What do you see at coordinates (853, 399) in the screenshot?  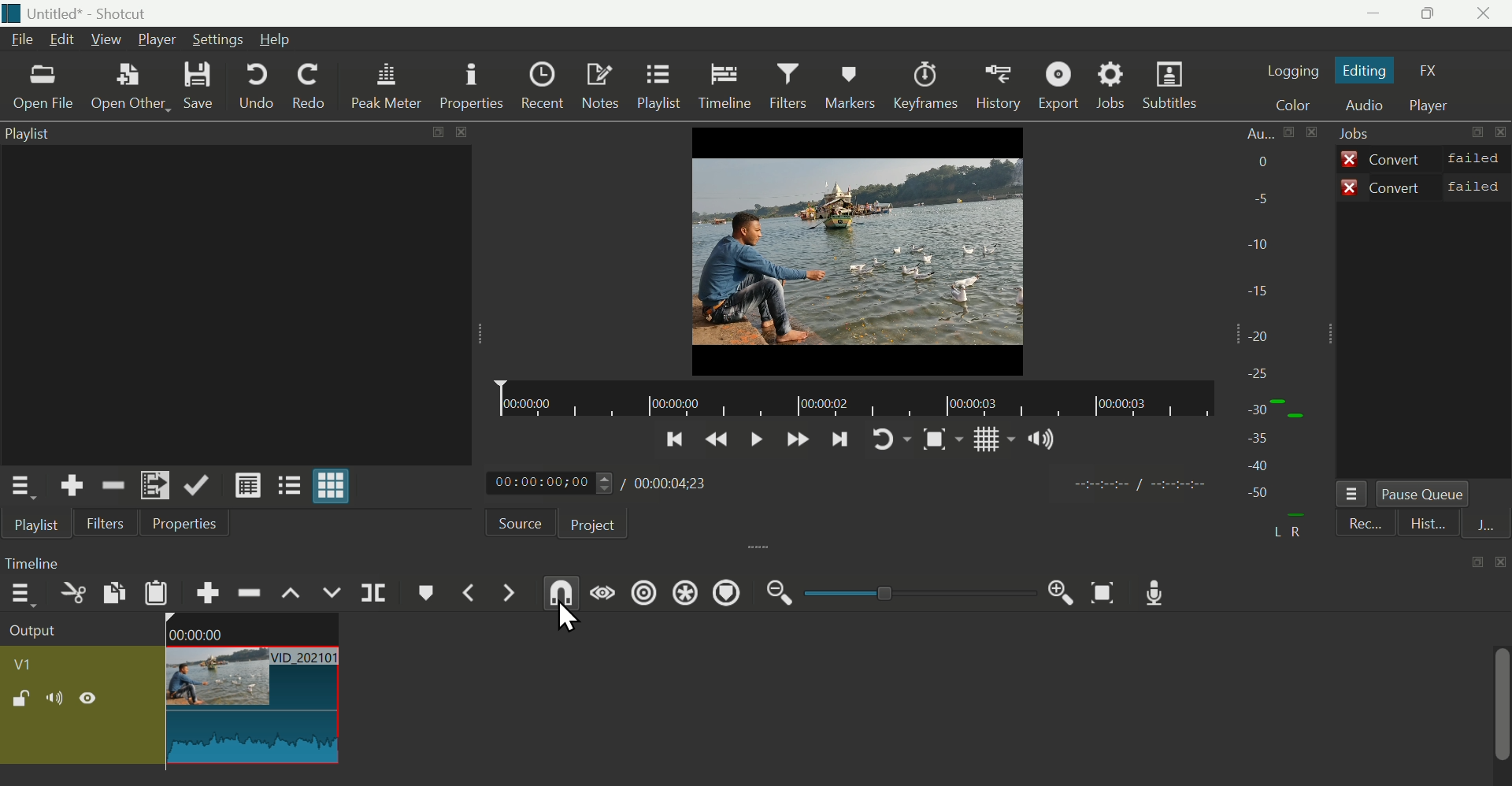 I see `Timeline` at bounding box center [853, 399].